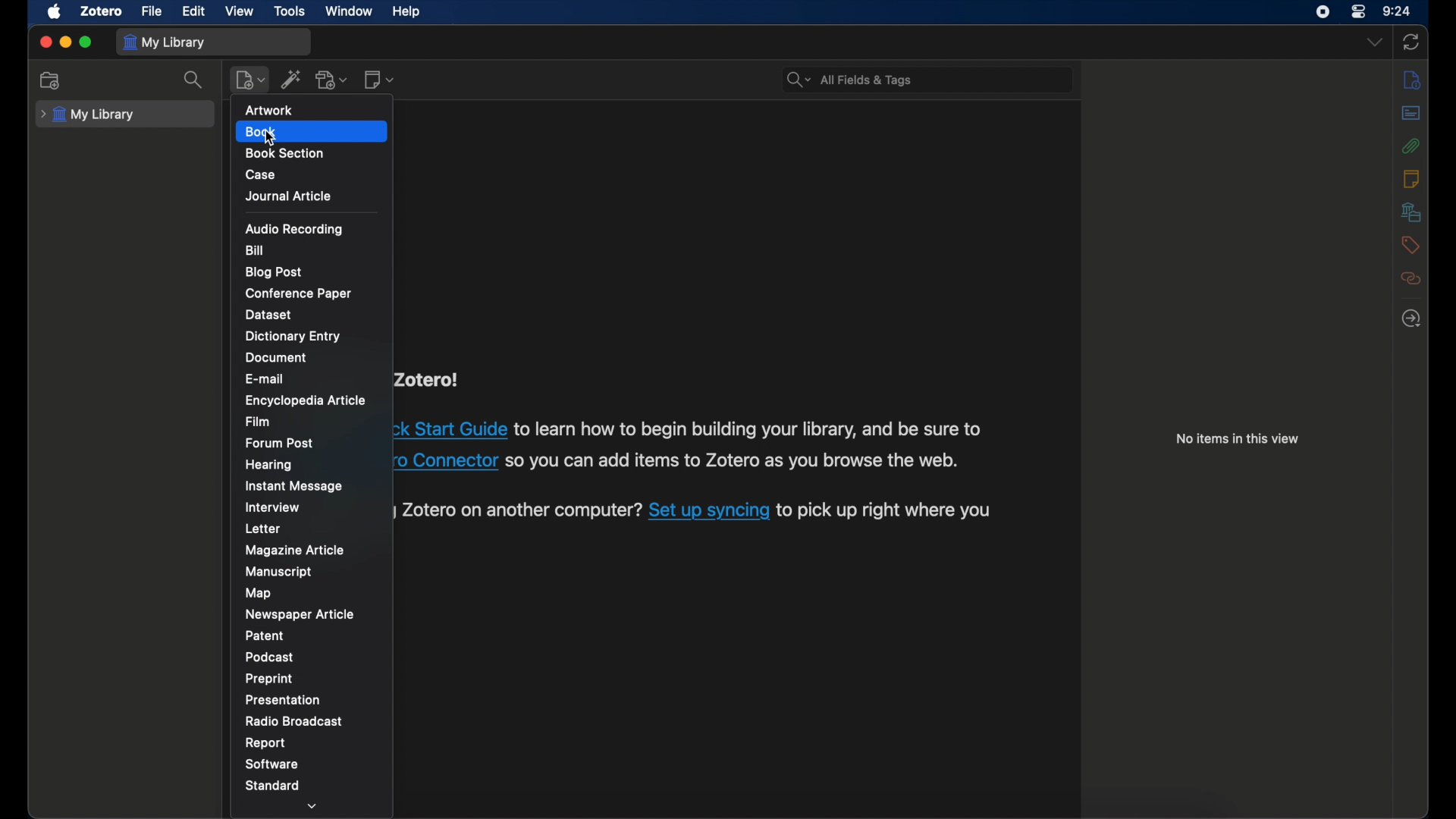 Image resolution: width=1456 pixels, height=819 pixels. Describe the element at coordinates (378, 79) in the screenshot. I see `new note` at that location.